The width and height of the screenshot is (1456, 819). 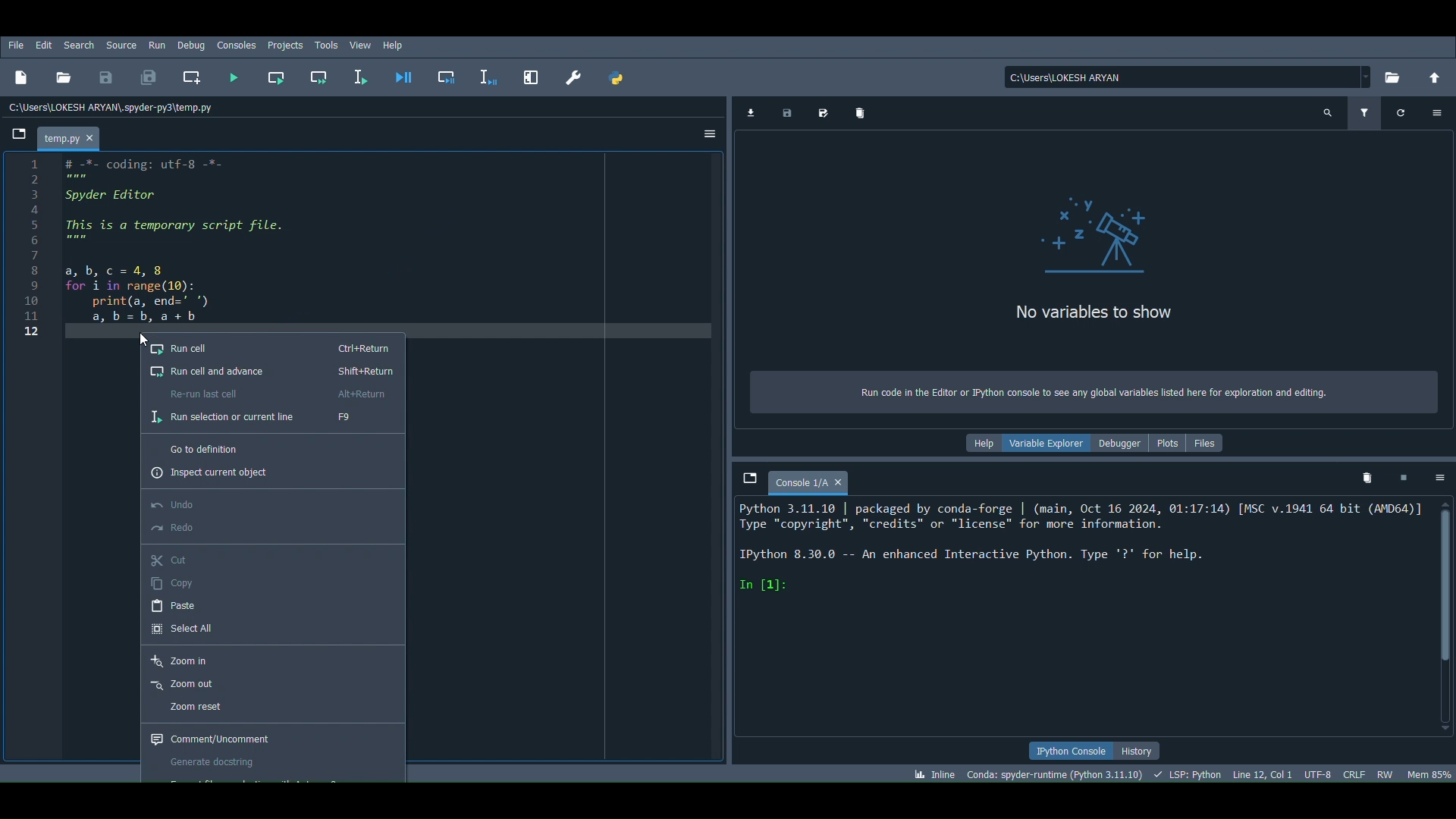 What do you see at coordinates (1391, 78) in the screenshot?
I see `Browse a working directory` at bounding box center [1391, 78].